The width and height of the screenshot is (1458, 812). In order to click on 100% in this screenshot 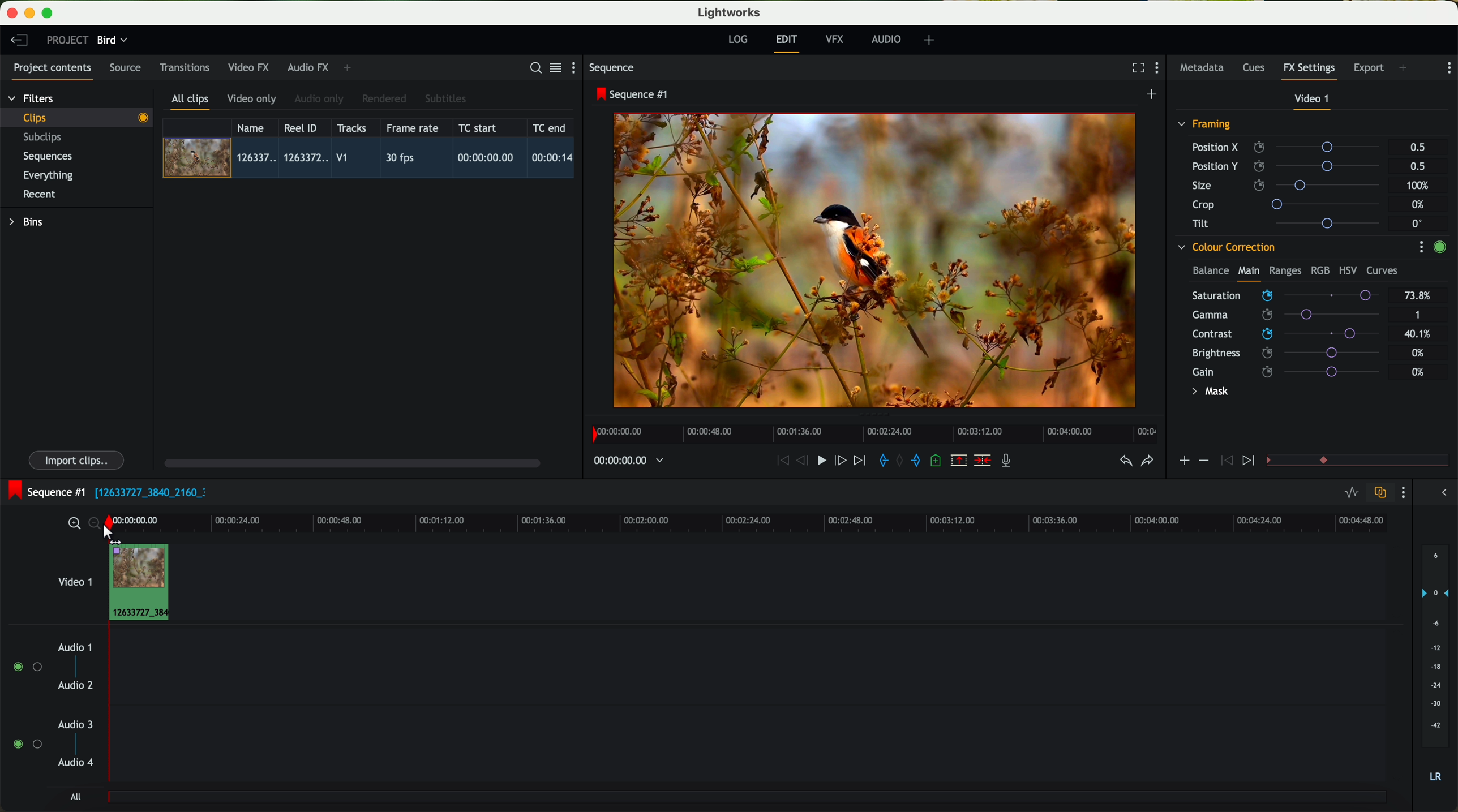, I will do `click(1421, 186)`.